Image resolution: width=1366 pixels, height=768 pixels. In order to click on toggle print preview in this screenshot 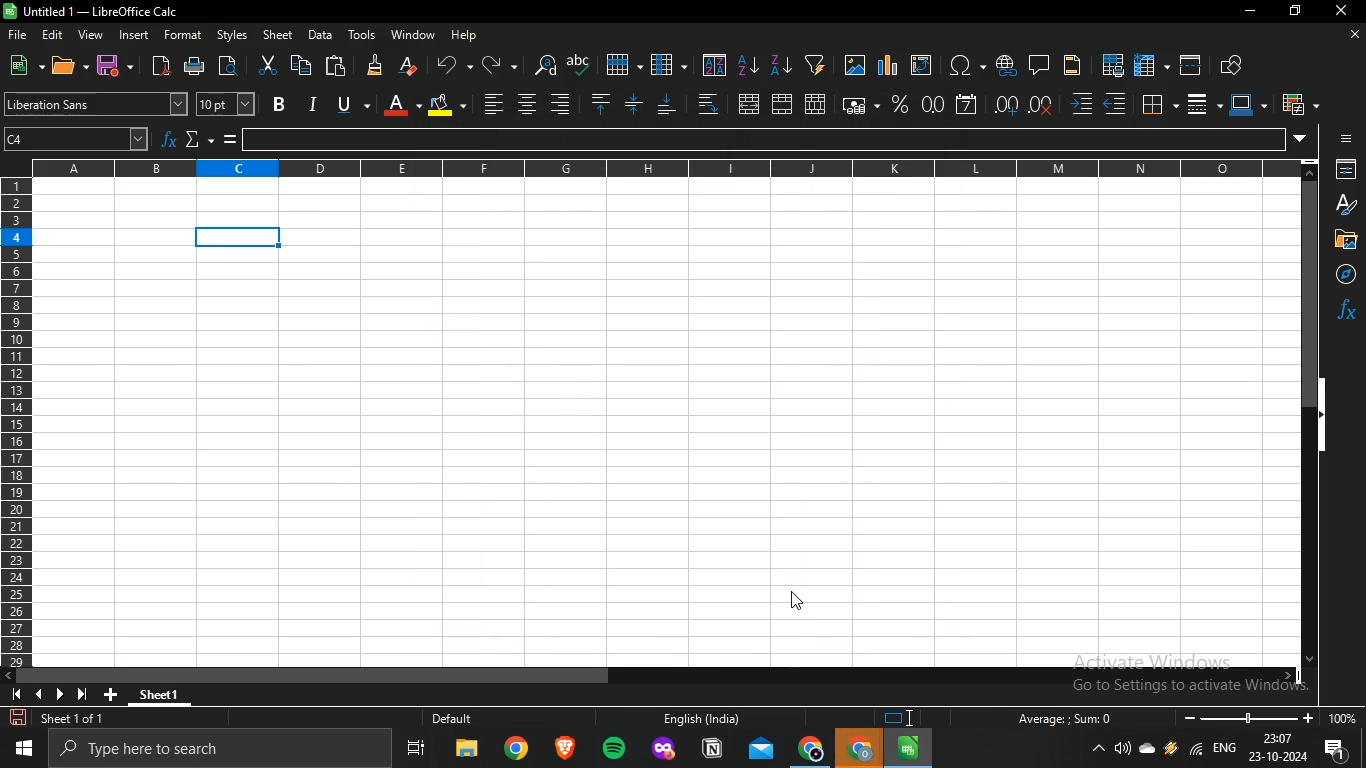, I will do `click(232, 65)`.